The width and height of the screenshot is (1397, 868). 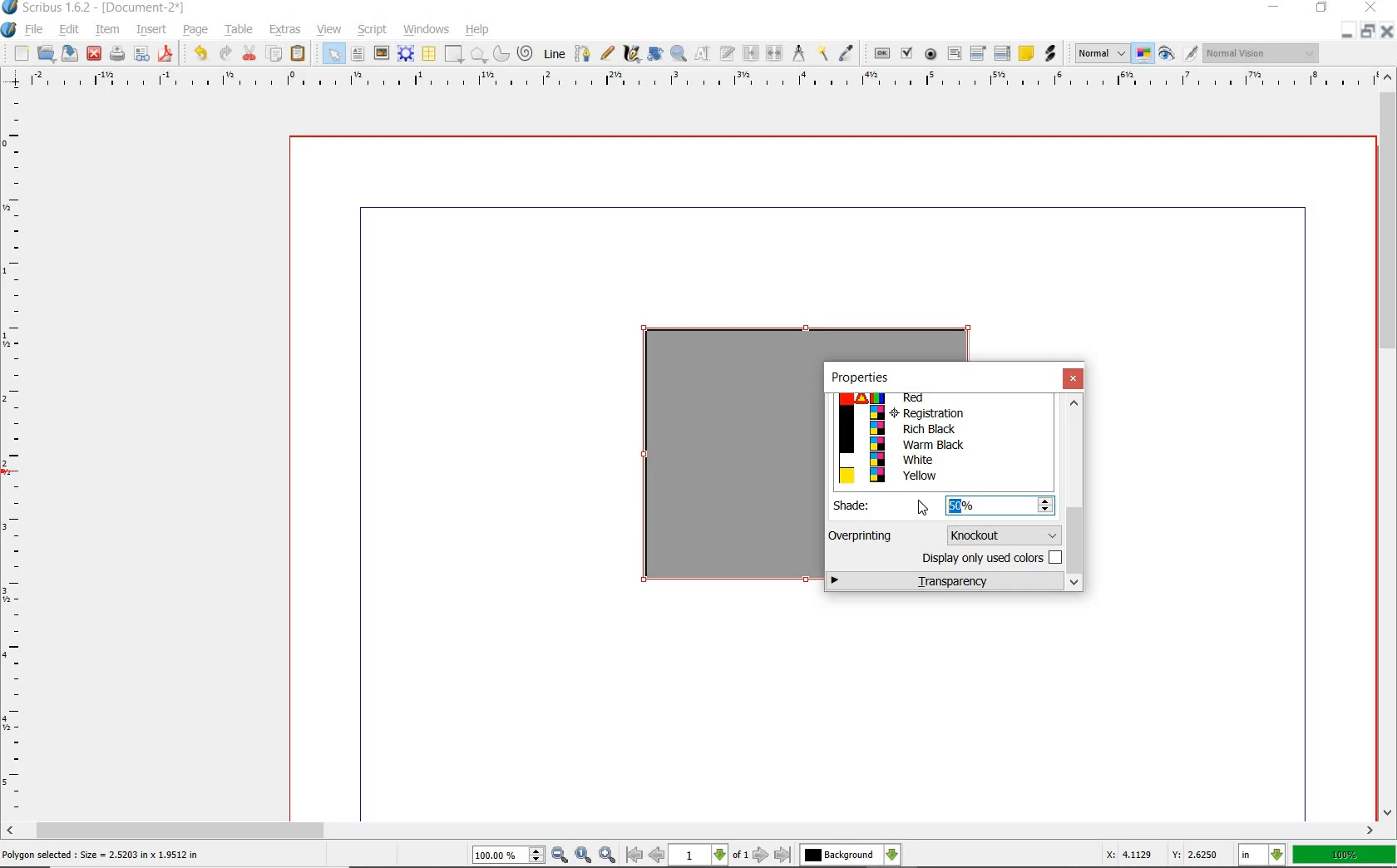 I want to click on arc, so click(x=501, y=55).